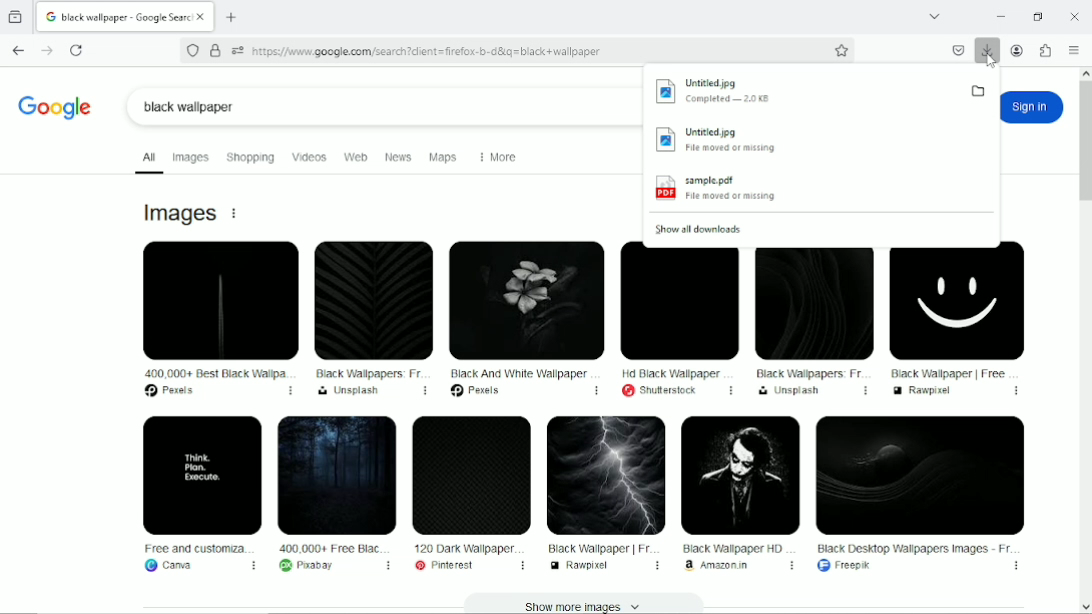 This screenshot has width=1092, height=614. What do you see at coordinates (1032, 108) in the screenshot?
I see `sign in` at bounding box center [1032, 108].